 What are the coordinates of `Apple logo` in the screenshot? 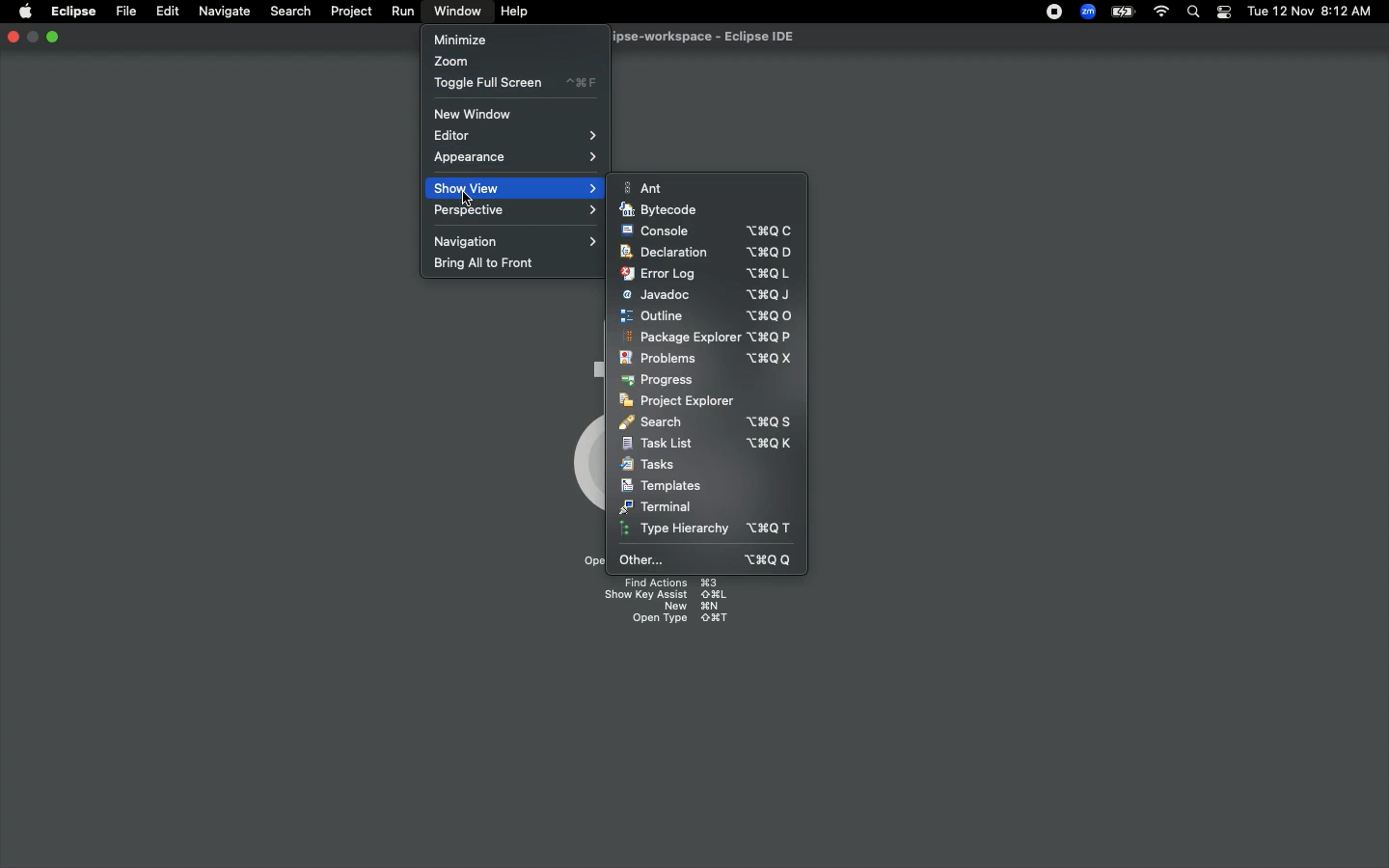 It's located at (24, 13).